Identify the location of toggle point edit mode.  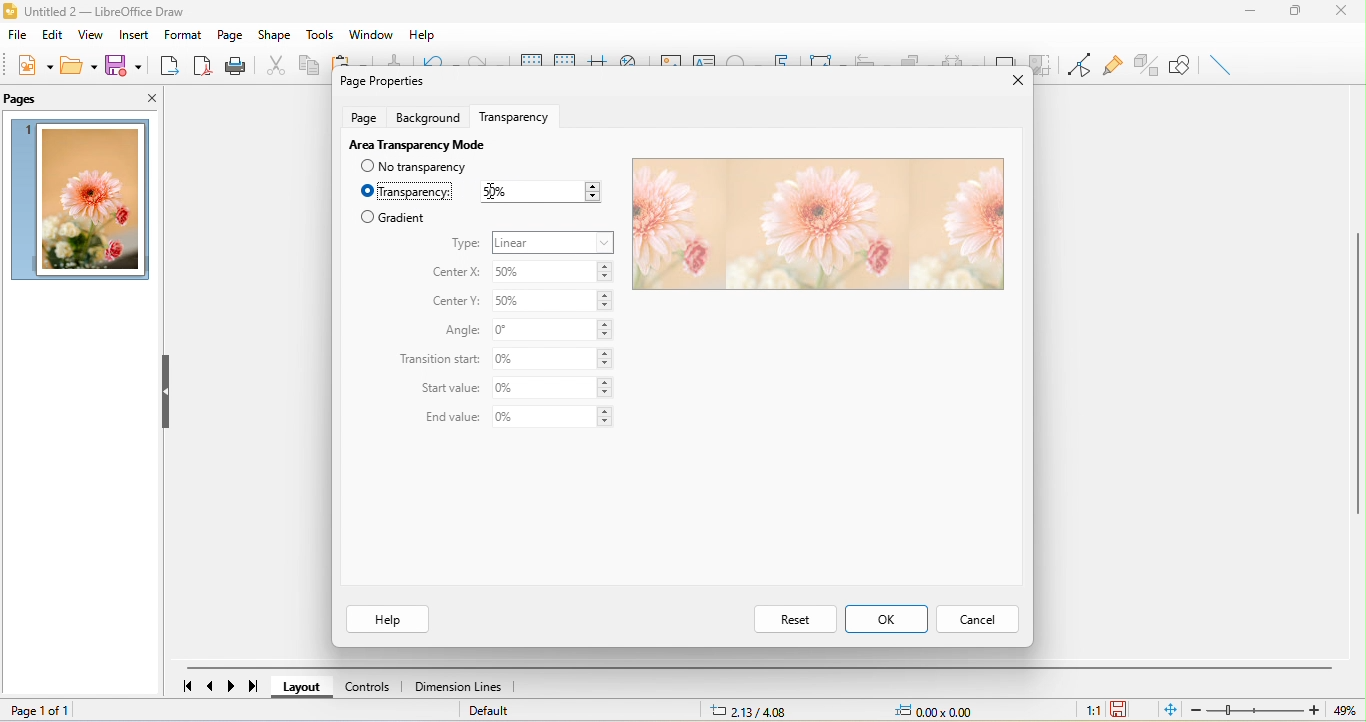
(1076, 65).